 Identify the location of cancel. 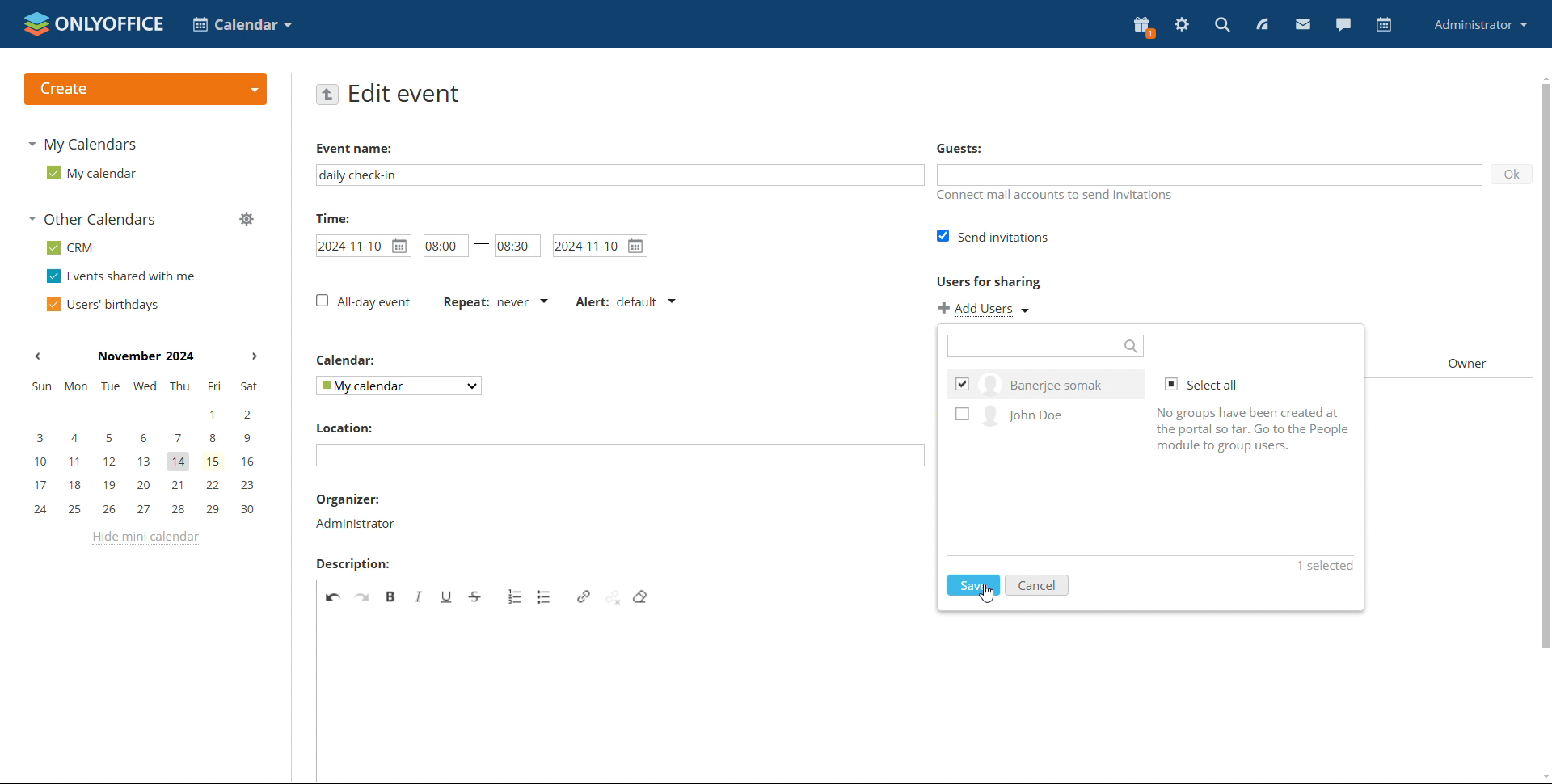
(1038, 585).